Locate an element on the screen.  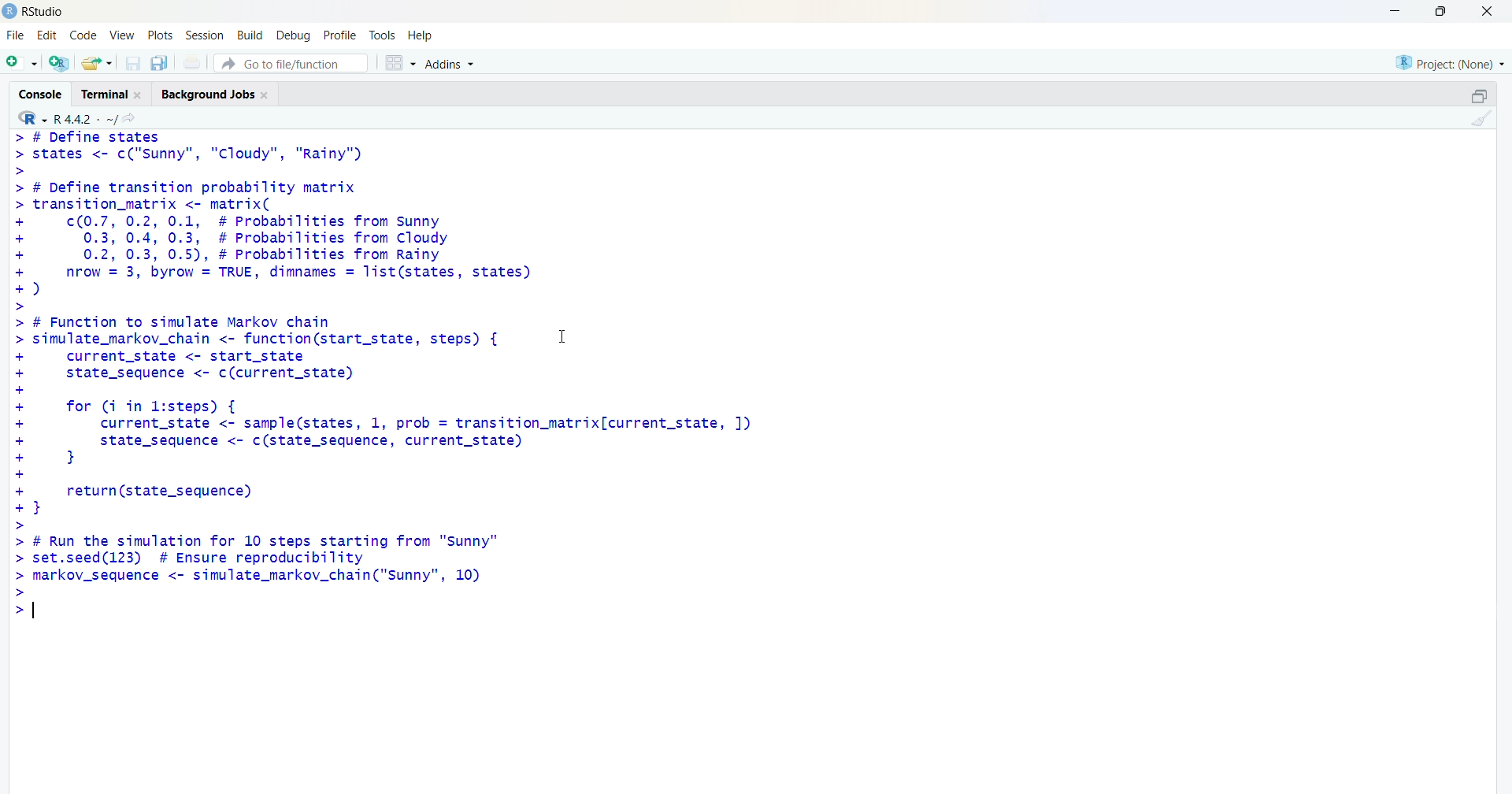
profile is located at coordinates (337, 35).